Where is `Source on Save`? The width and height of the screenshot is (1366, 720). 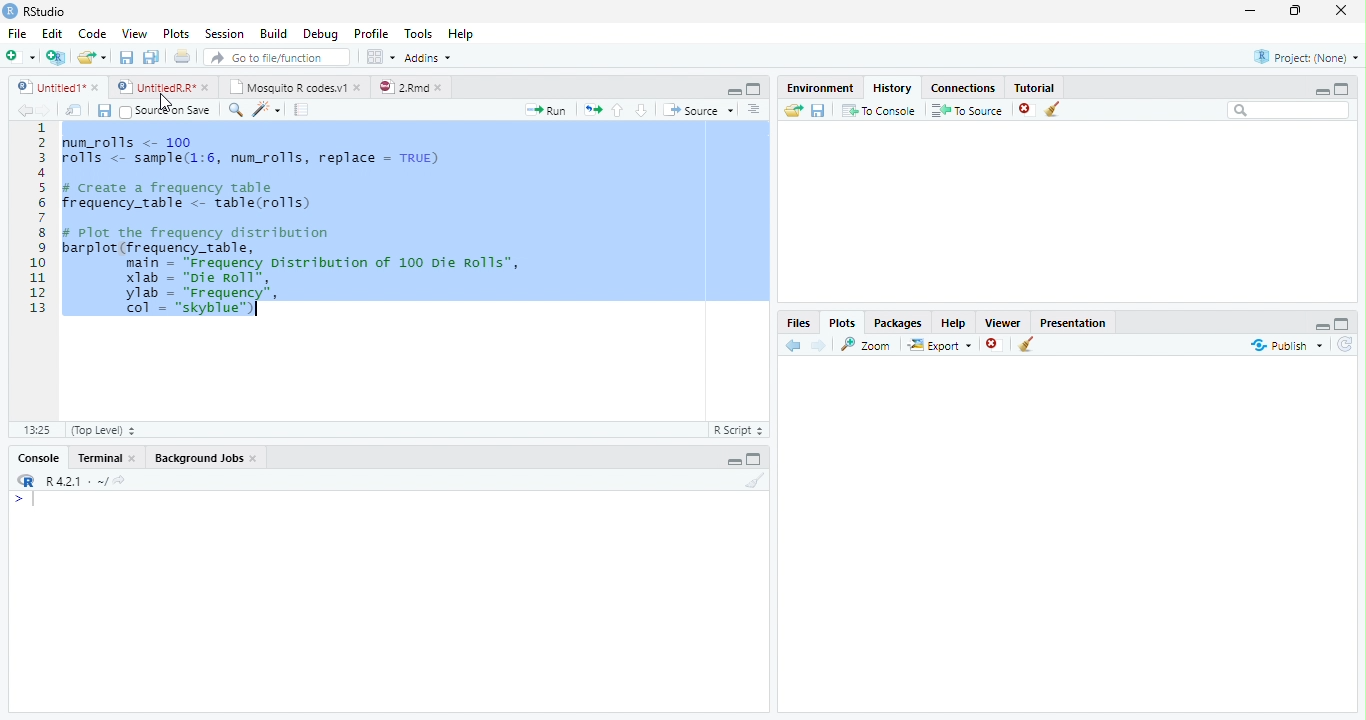 Source on Save is located at coordinates (165, 111).